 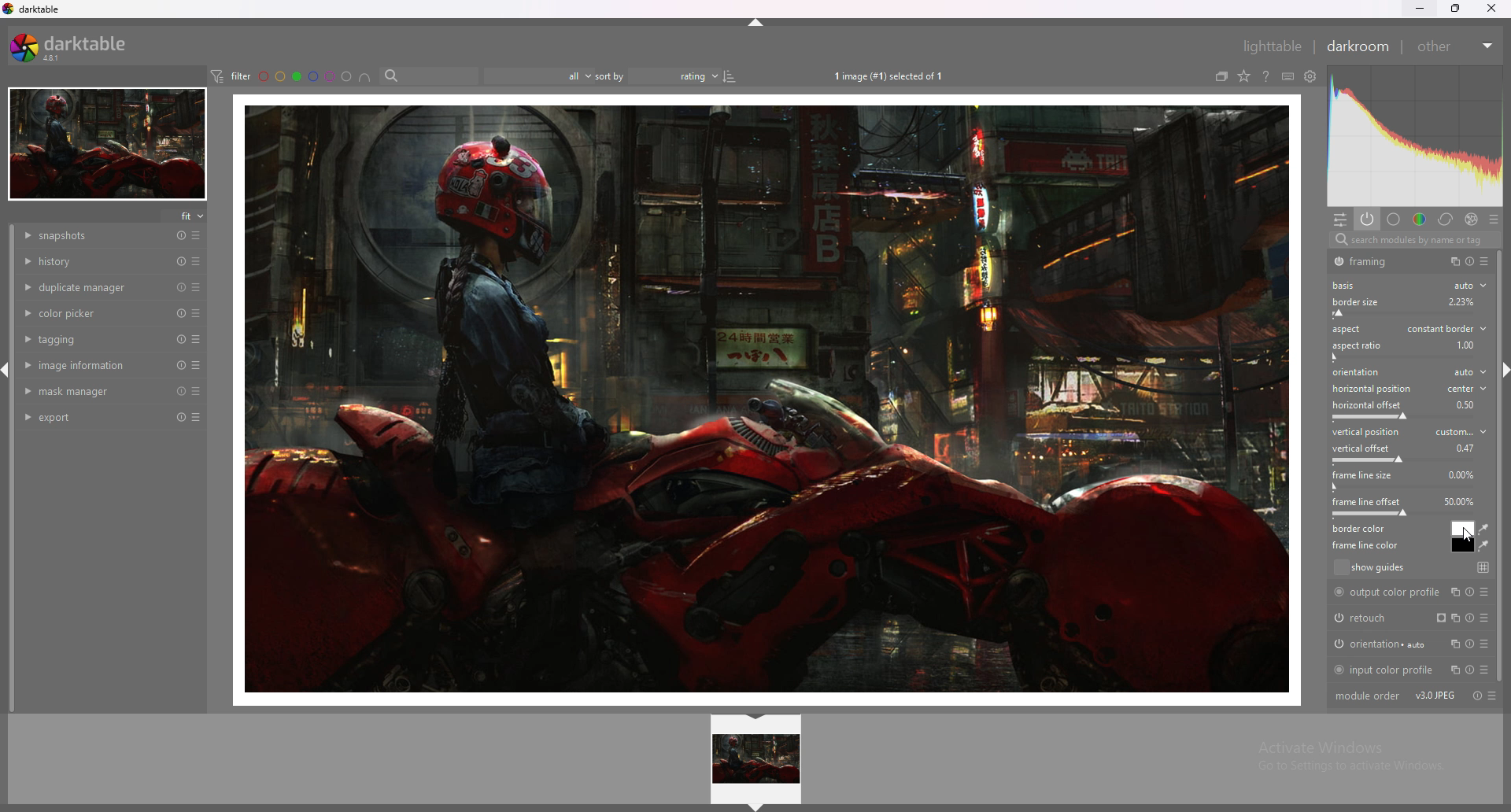 What do you see at coordinates (197, 339) in the screenshot?
I see `presets` at bounding box center [197, 339].